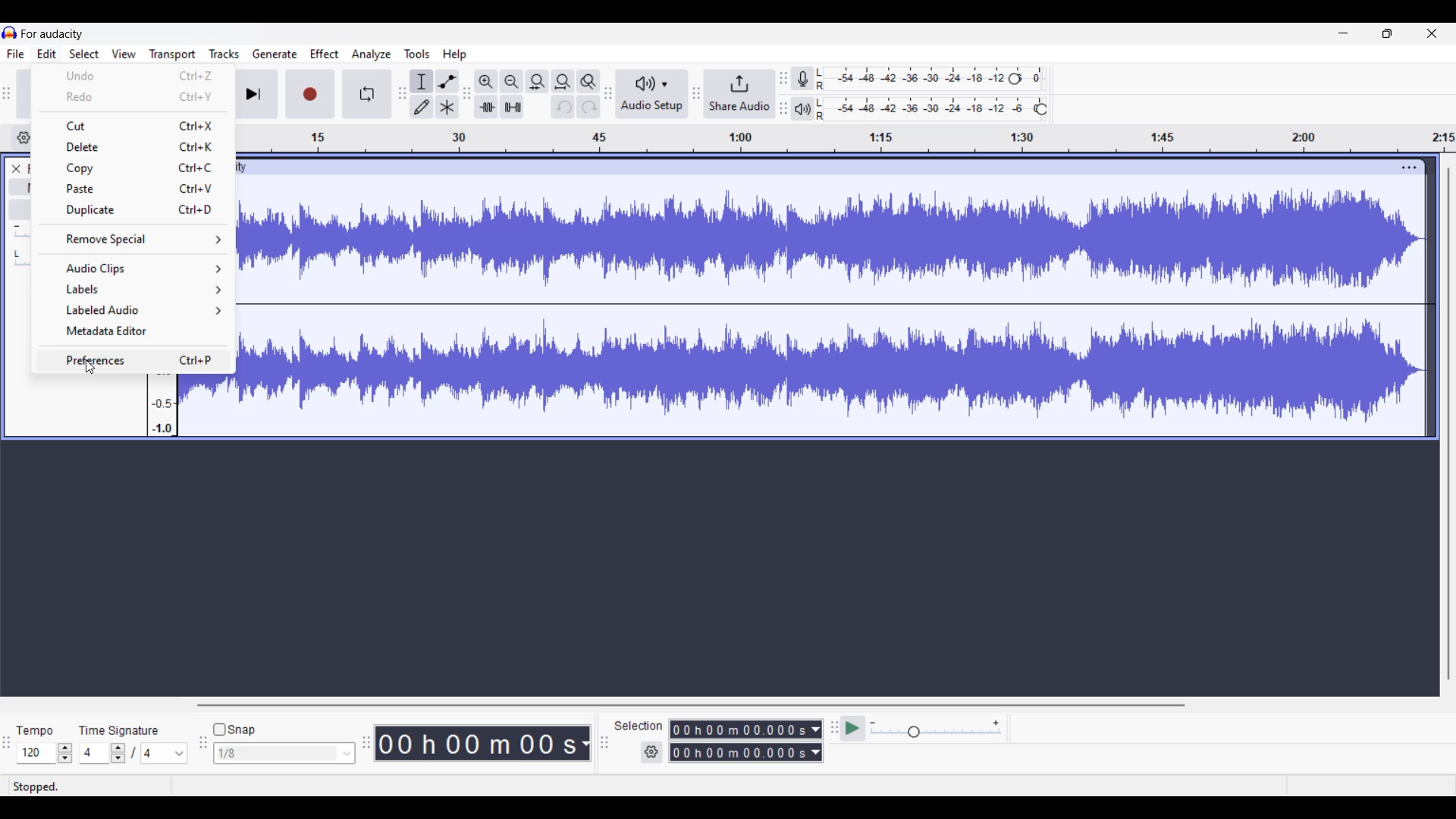  I want to click on Scale to measure length of track, so click(848, 140).